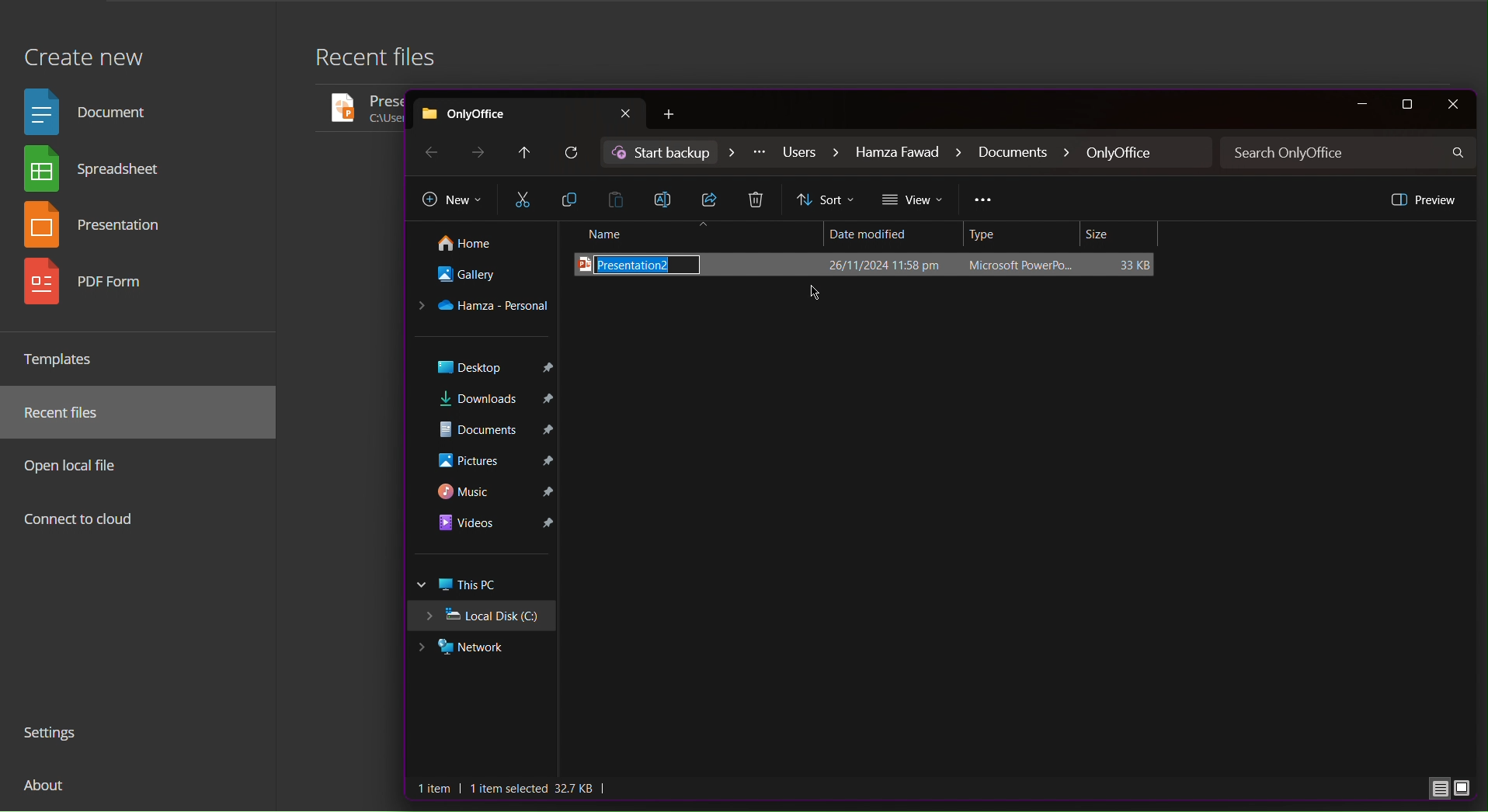  What do you see at coordinates (480, 279) in the screenshot?
I see `Gallery` at bounding box center [480, 279].